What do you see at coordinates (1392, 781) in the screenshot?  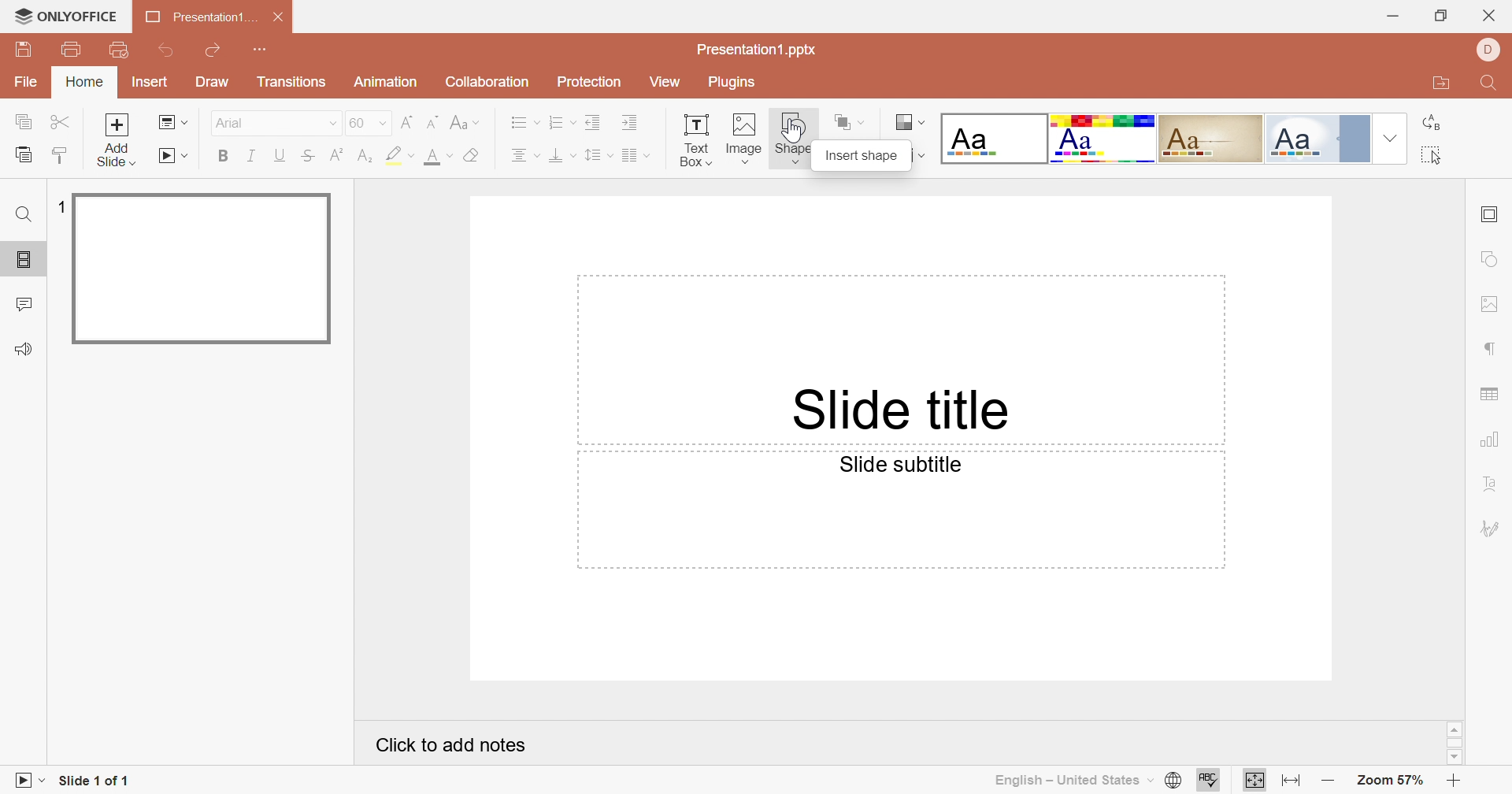 I see `Zoom 57%` at bounding box center [1392, 781].